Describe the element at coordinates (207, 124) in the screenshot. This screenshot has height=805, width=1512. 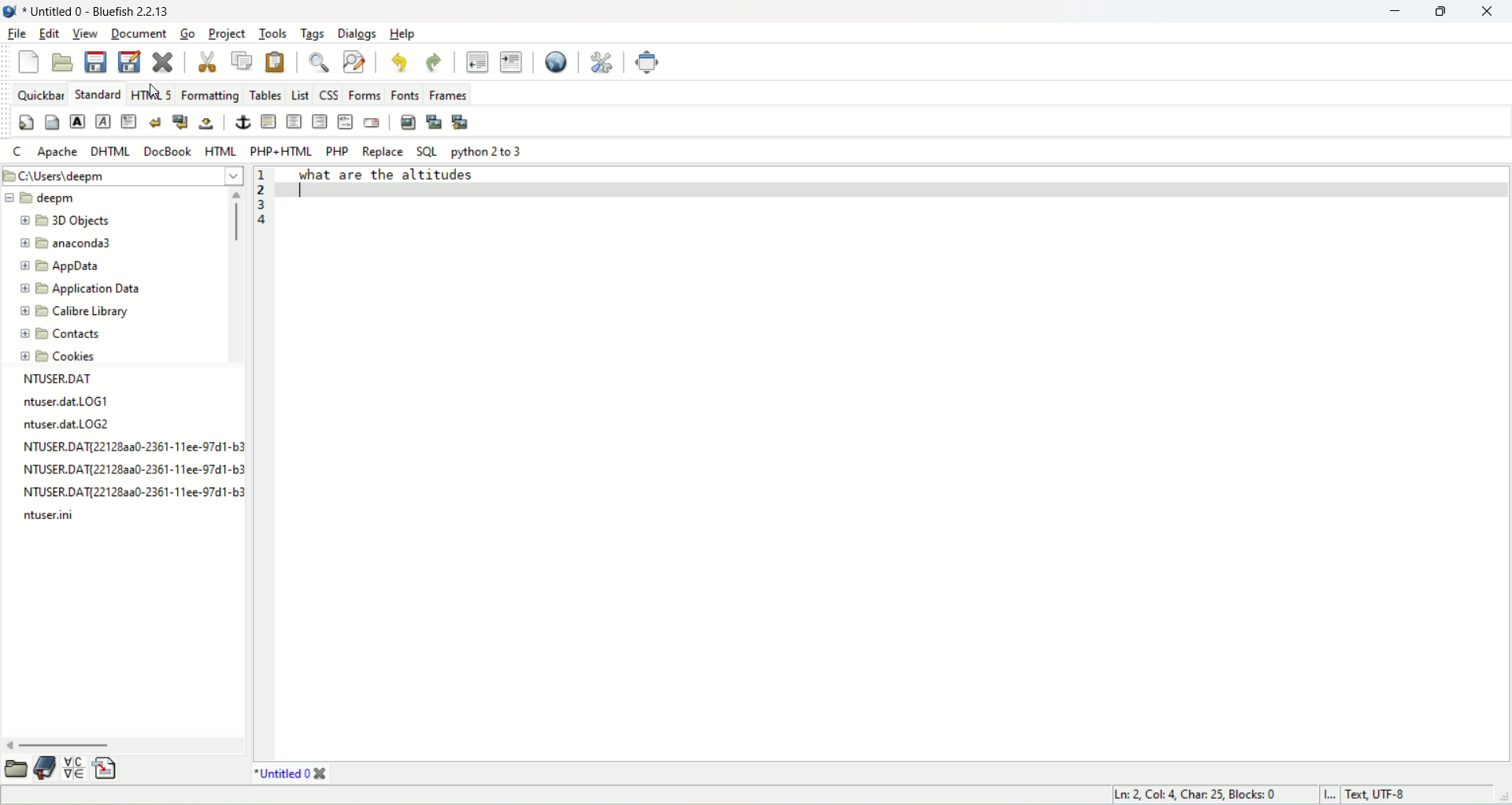
I see `non-breaking space` at that location.